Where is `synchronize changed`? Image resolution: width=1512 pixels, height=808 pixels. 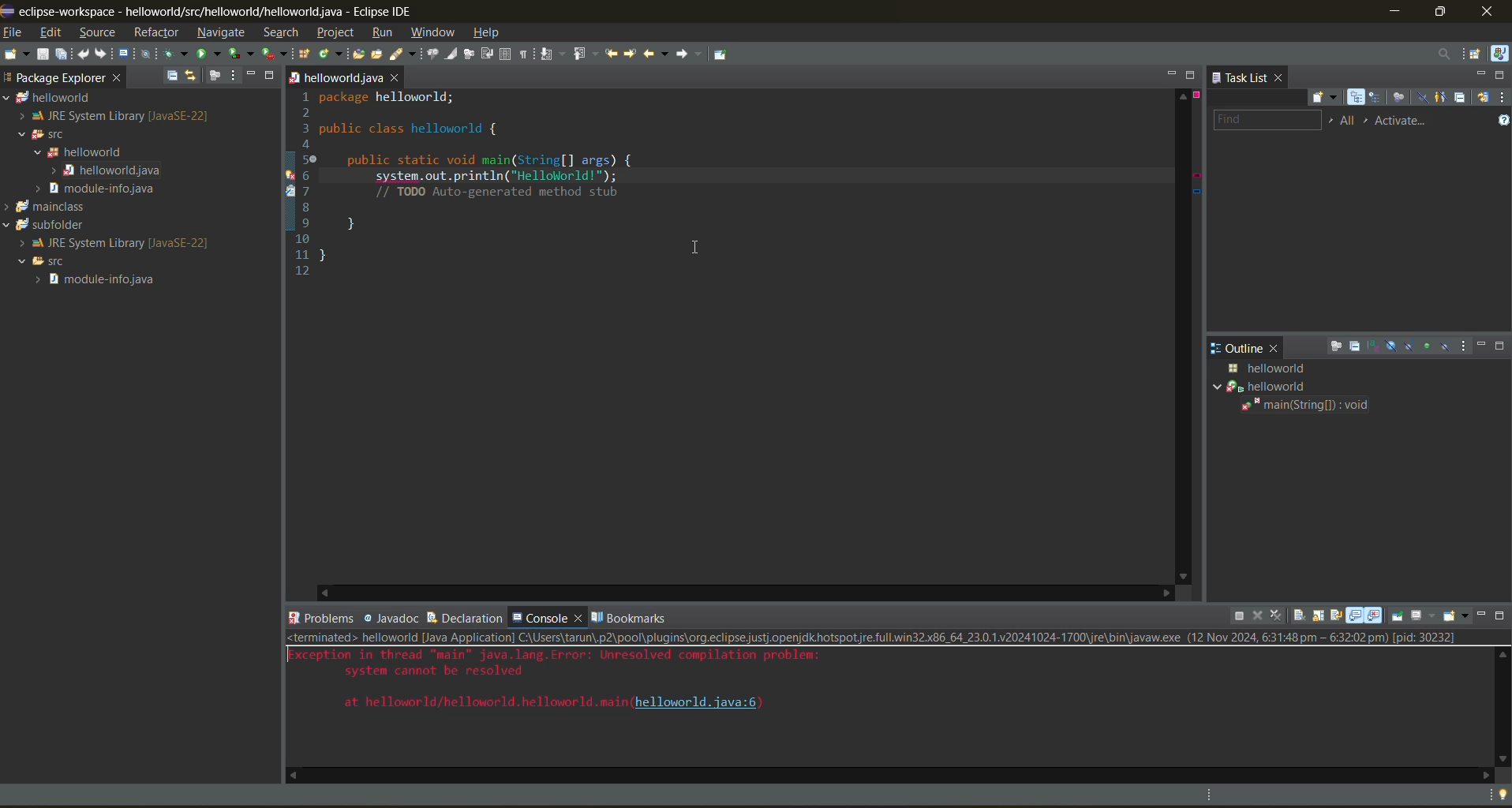 synchronize changed is located at coordinates (1484, 99).